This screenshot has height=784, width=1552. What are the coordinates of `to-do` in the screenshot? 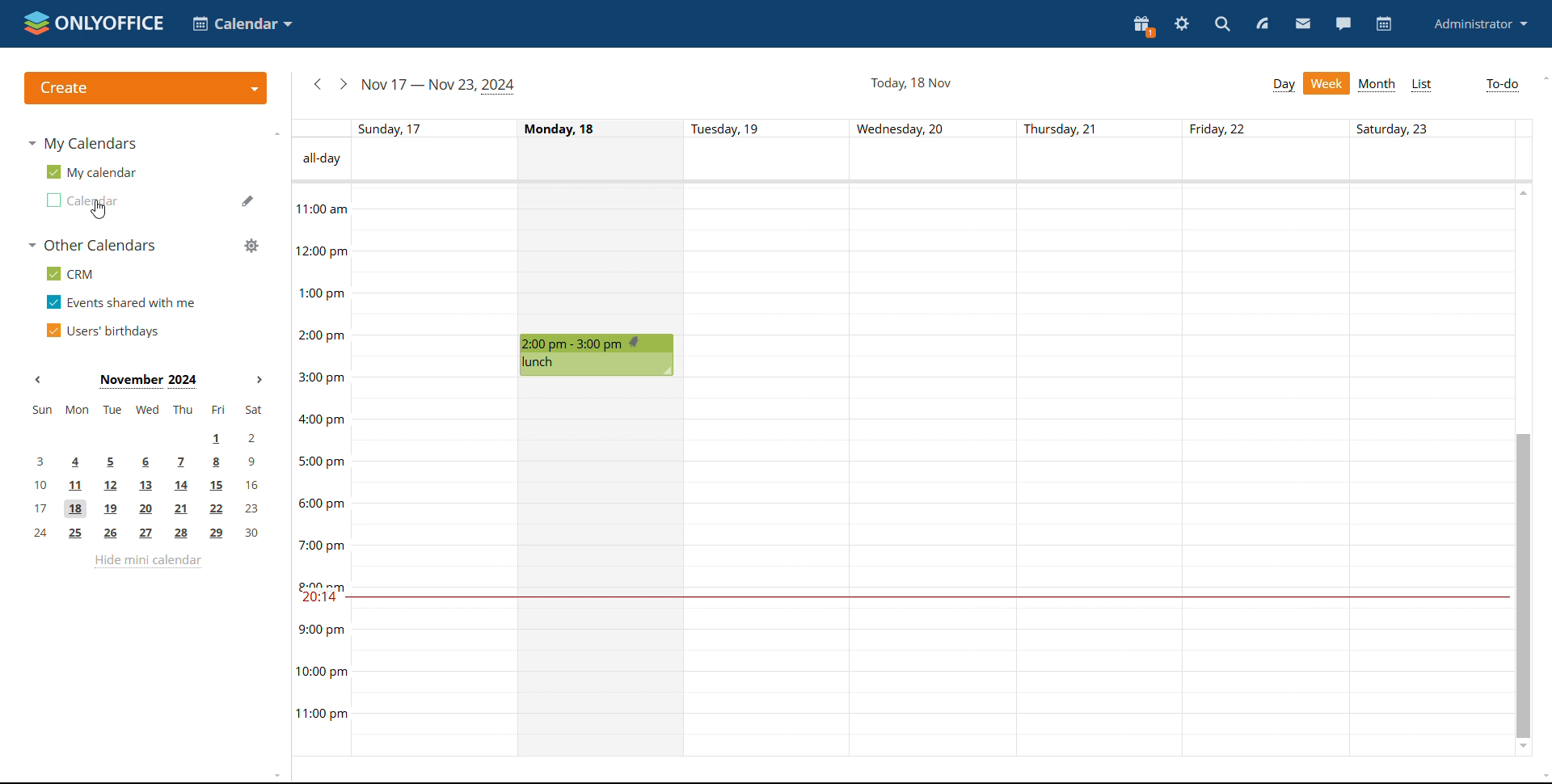 It's located at (1503, 85).